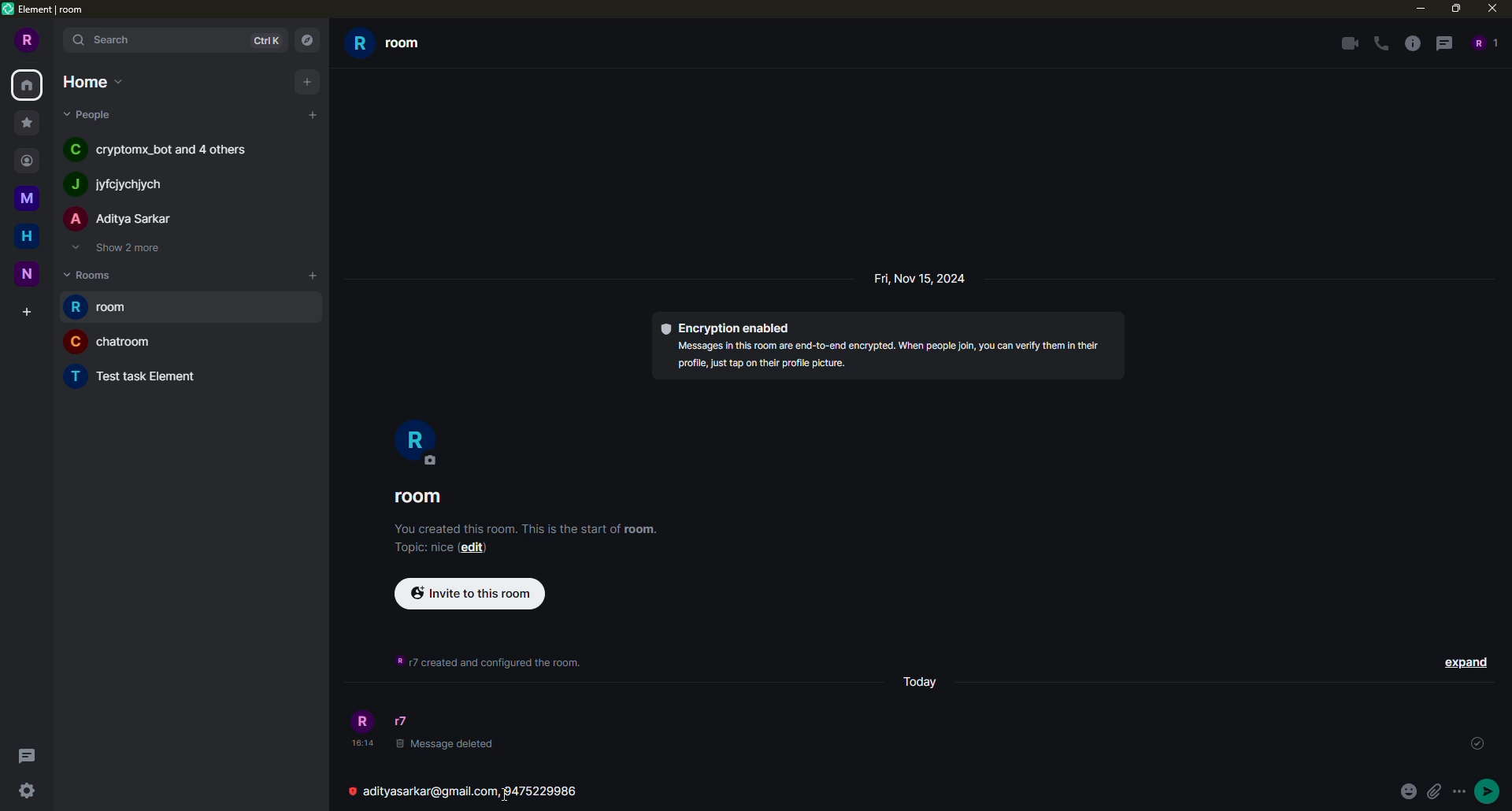 This screenshot has height=811, width=1512. I want to click on info, so click(527, 528).